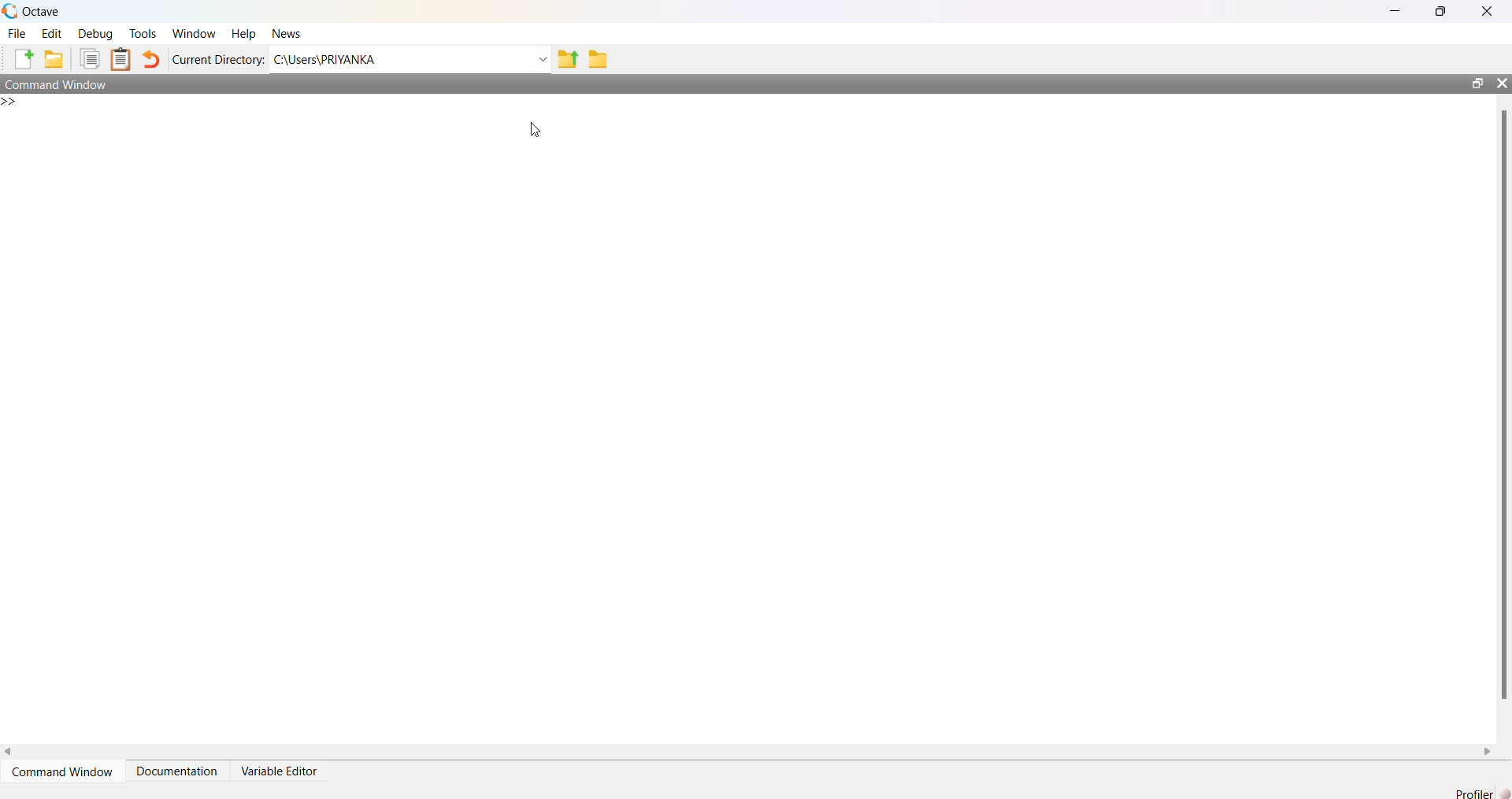  What do you see at coordinates (1472, 82) in the screenshot?
I see `maximise` at bounding box center [1472, 82].